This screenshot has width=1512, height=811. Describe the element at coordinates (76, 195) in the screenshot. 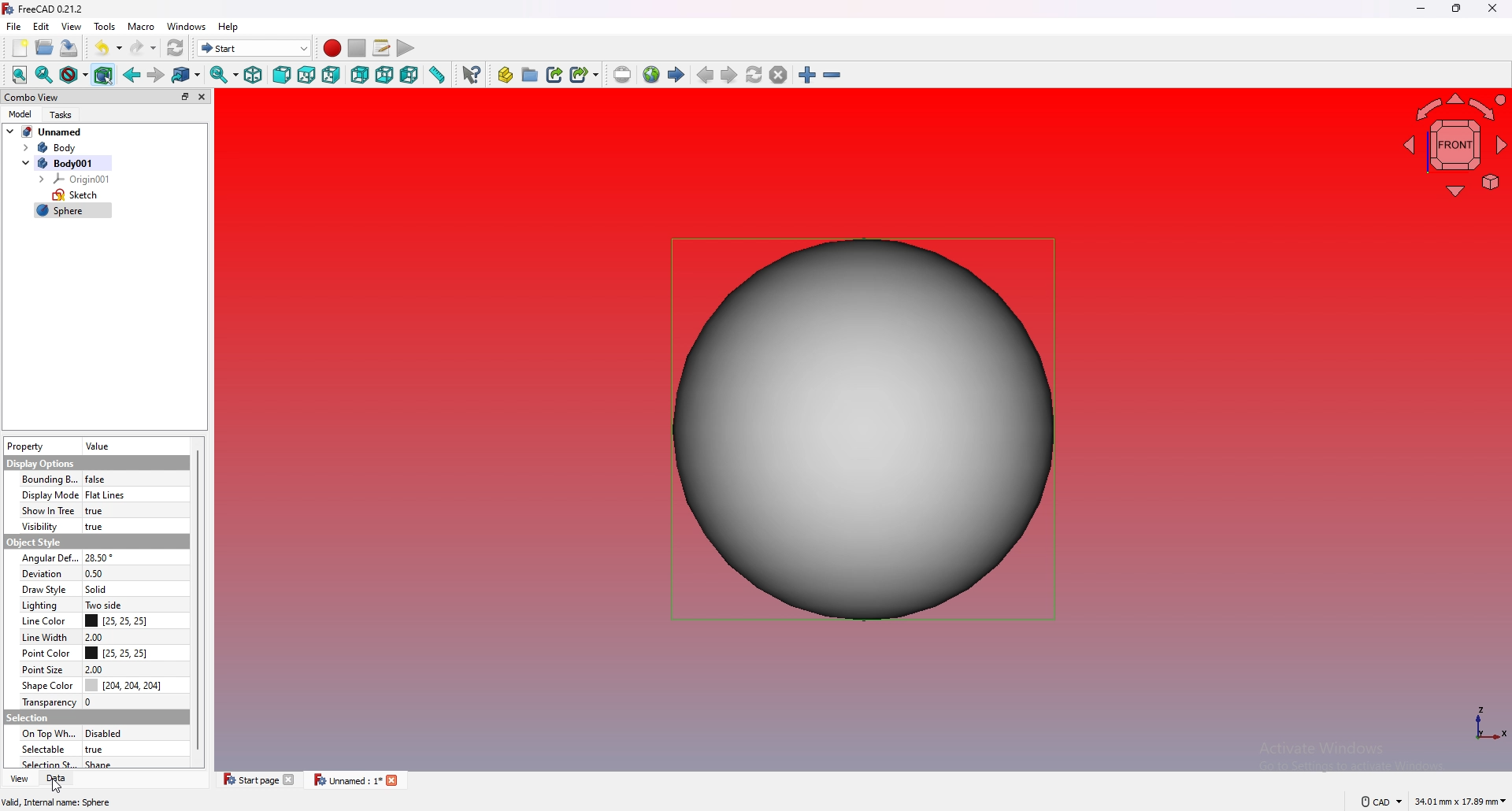

I see `sketch` at that location.